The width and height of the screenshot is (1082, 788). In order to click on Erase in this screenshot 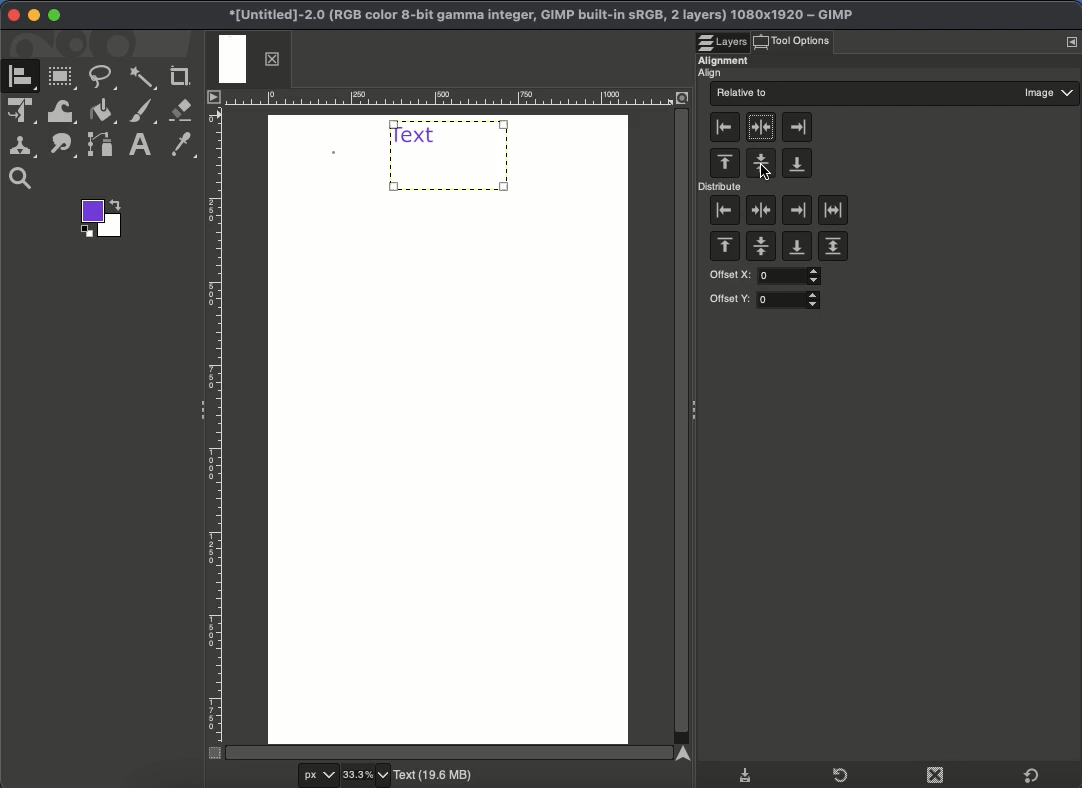, I will do `click(183, 110)`.